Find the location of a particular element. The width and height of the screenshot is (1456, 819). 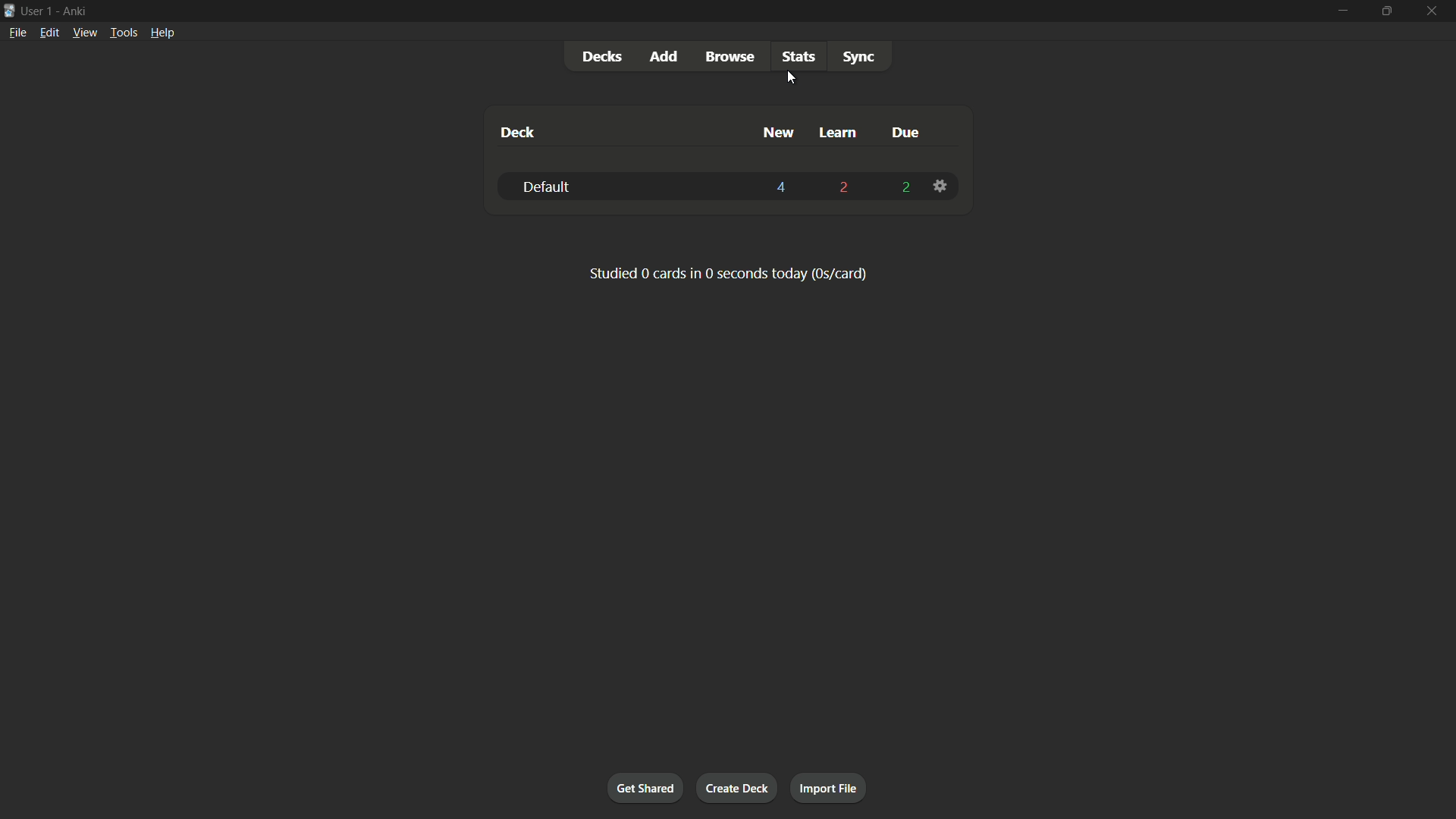

due is located at coordinates (907, 132).